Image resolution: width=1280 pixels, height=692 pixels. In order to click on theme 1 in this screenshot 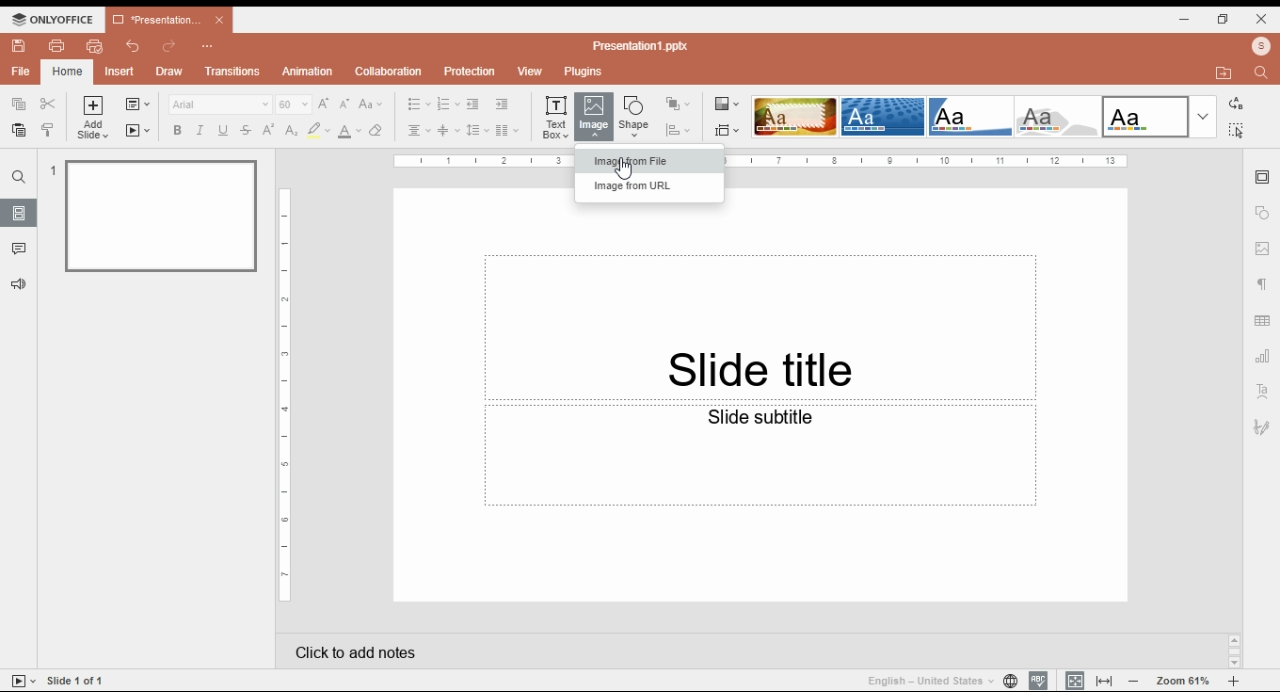, I will do `click(793, 117)`.